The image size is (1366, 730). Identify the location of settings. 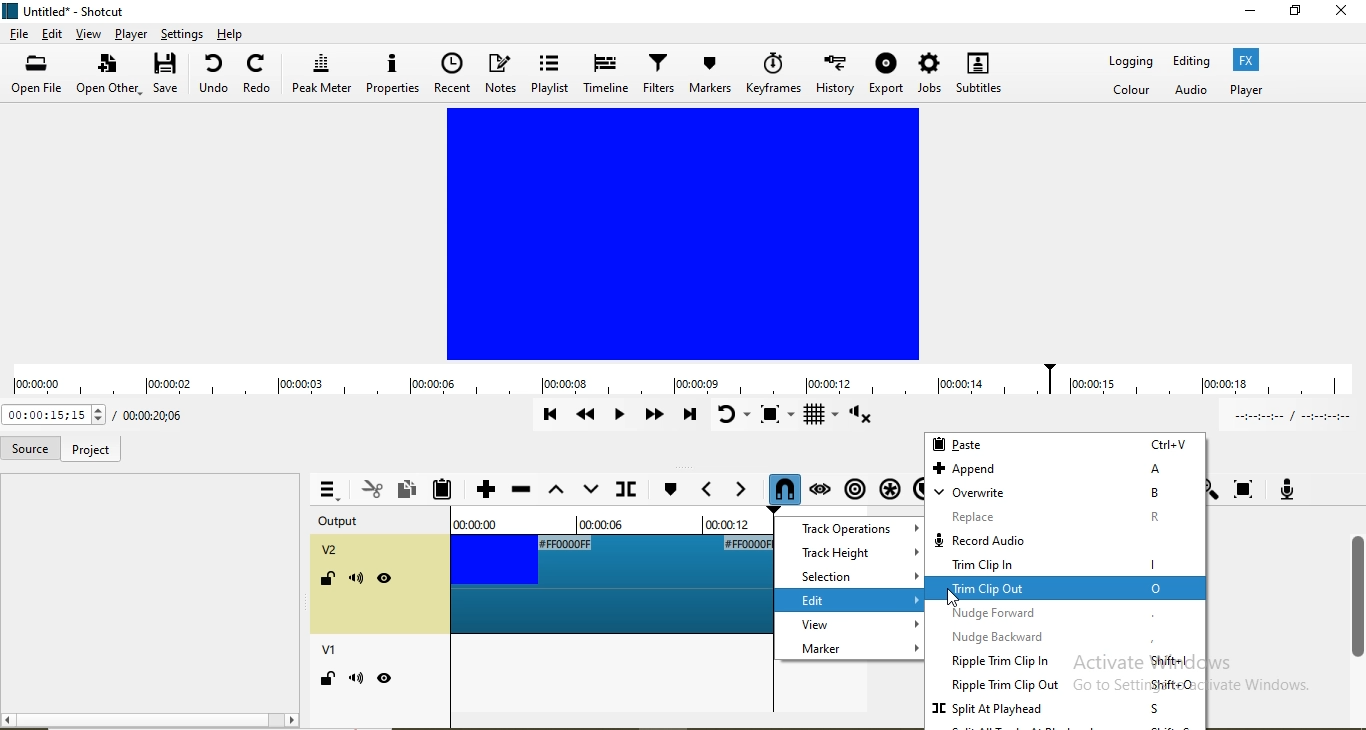
(181, 33).